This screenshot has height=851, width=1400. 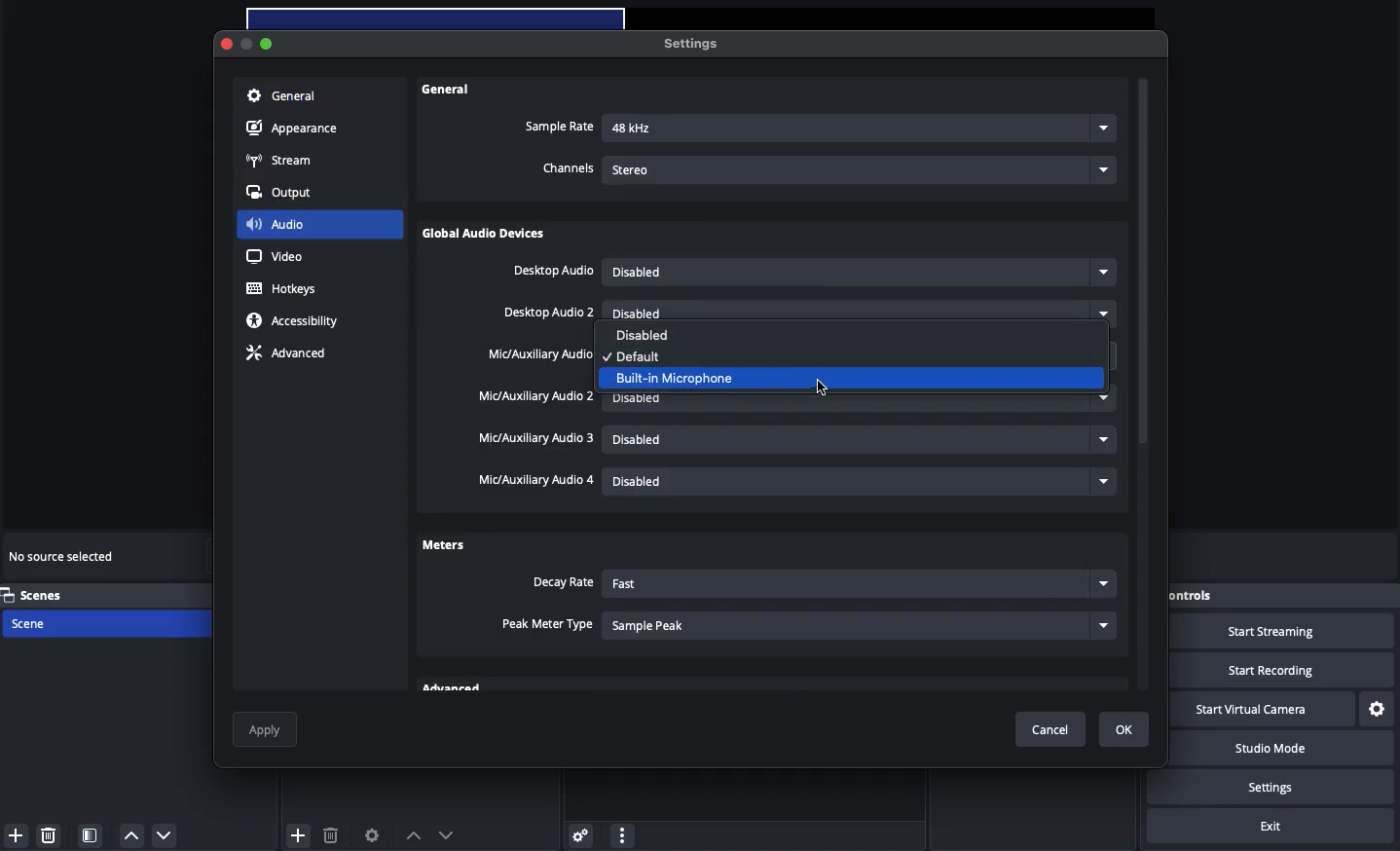 I want to click on Settings, so click(x=577, y=834).